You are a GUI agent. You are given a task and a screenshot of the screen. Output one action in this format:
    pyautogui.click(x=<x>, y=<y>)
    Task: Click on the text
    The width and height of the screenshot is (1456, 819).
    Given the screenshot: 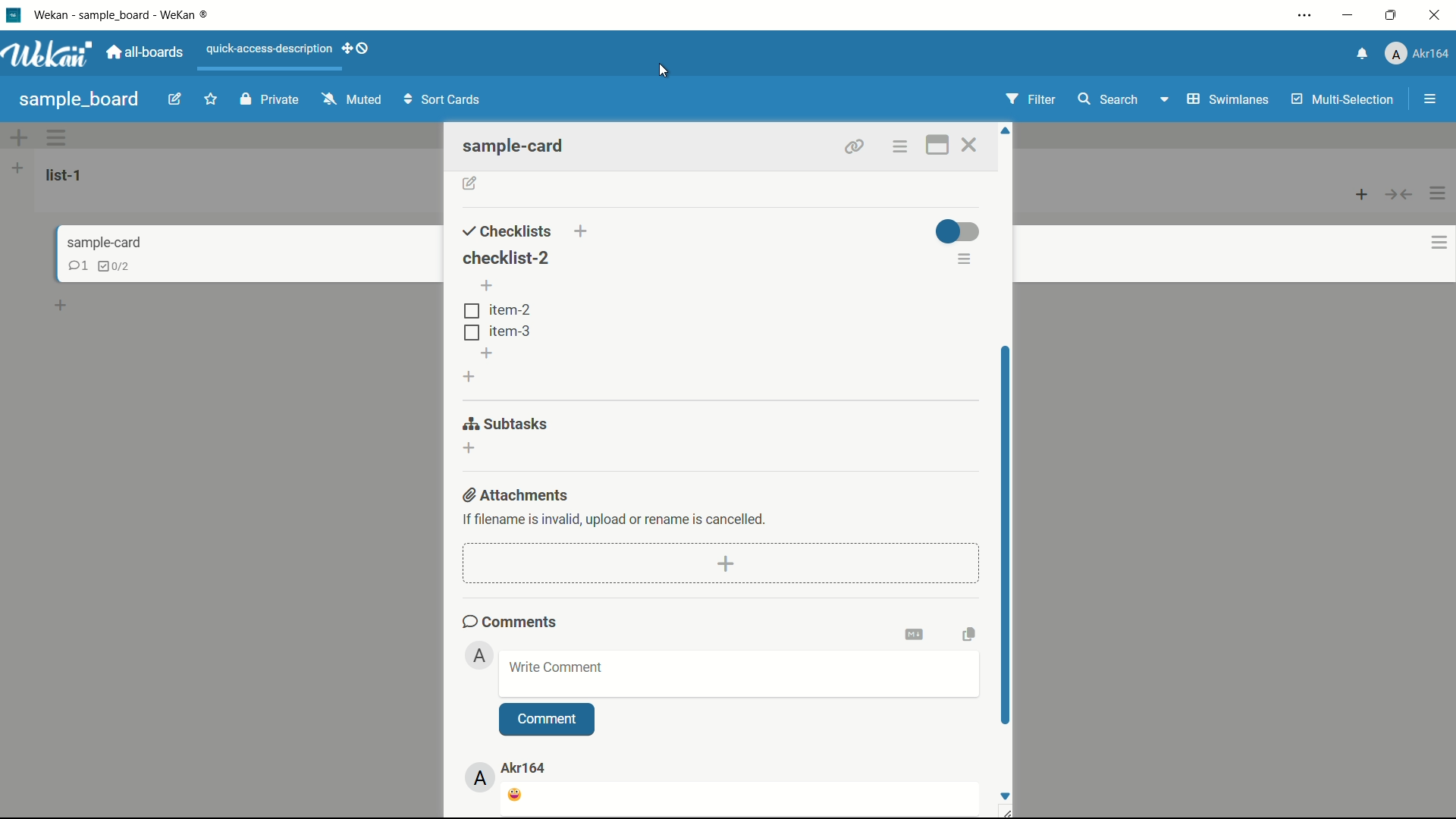 What is the action you would take?
    pyautogui.click(x=616, y=518)
    